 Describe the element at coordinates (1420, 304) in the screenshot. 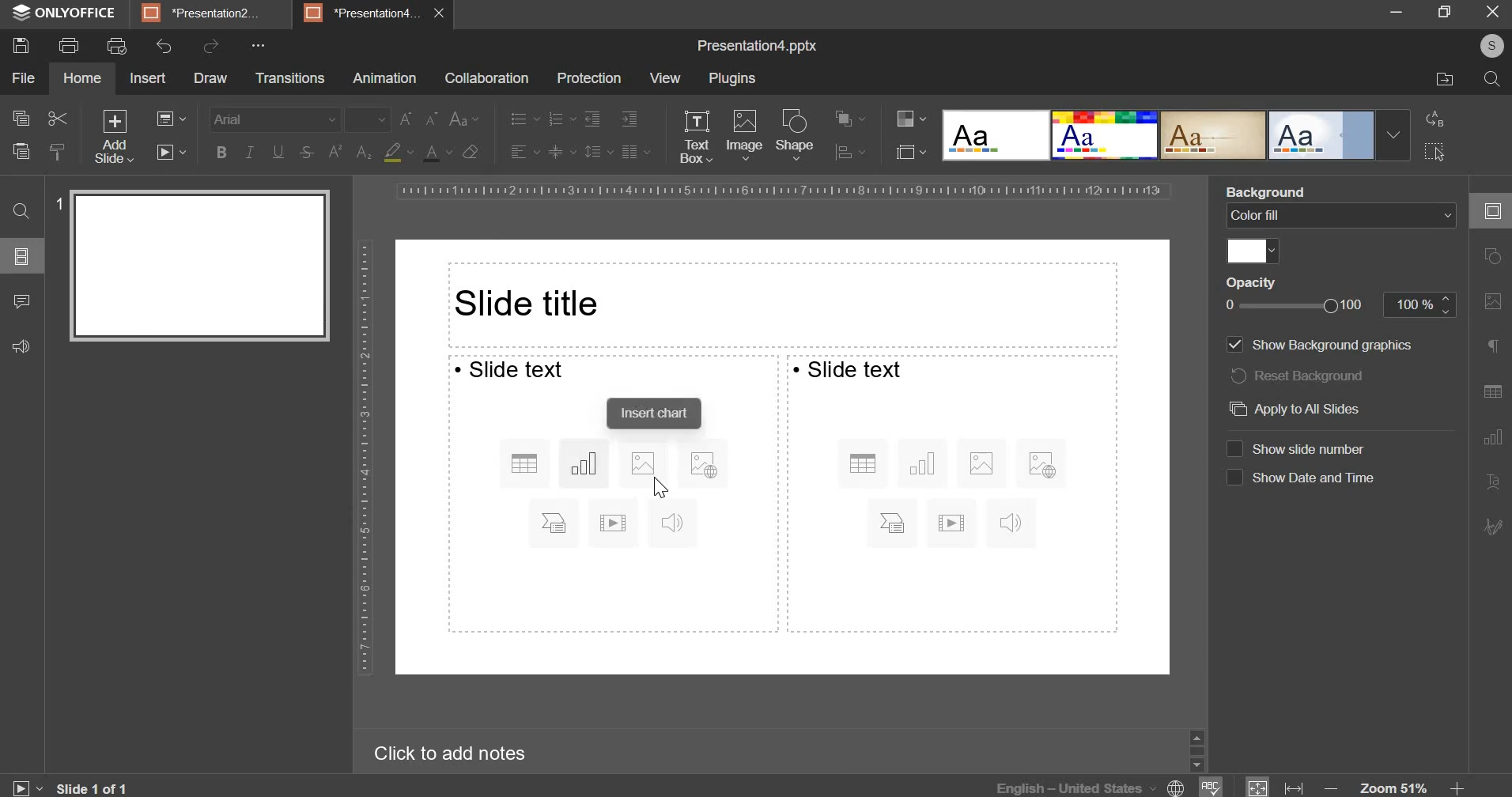

I see `opacity ` at that location.